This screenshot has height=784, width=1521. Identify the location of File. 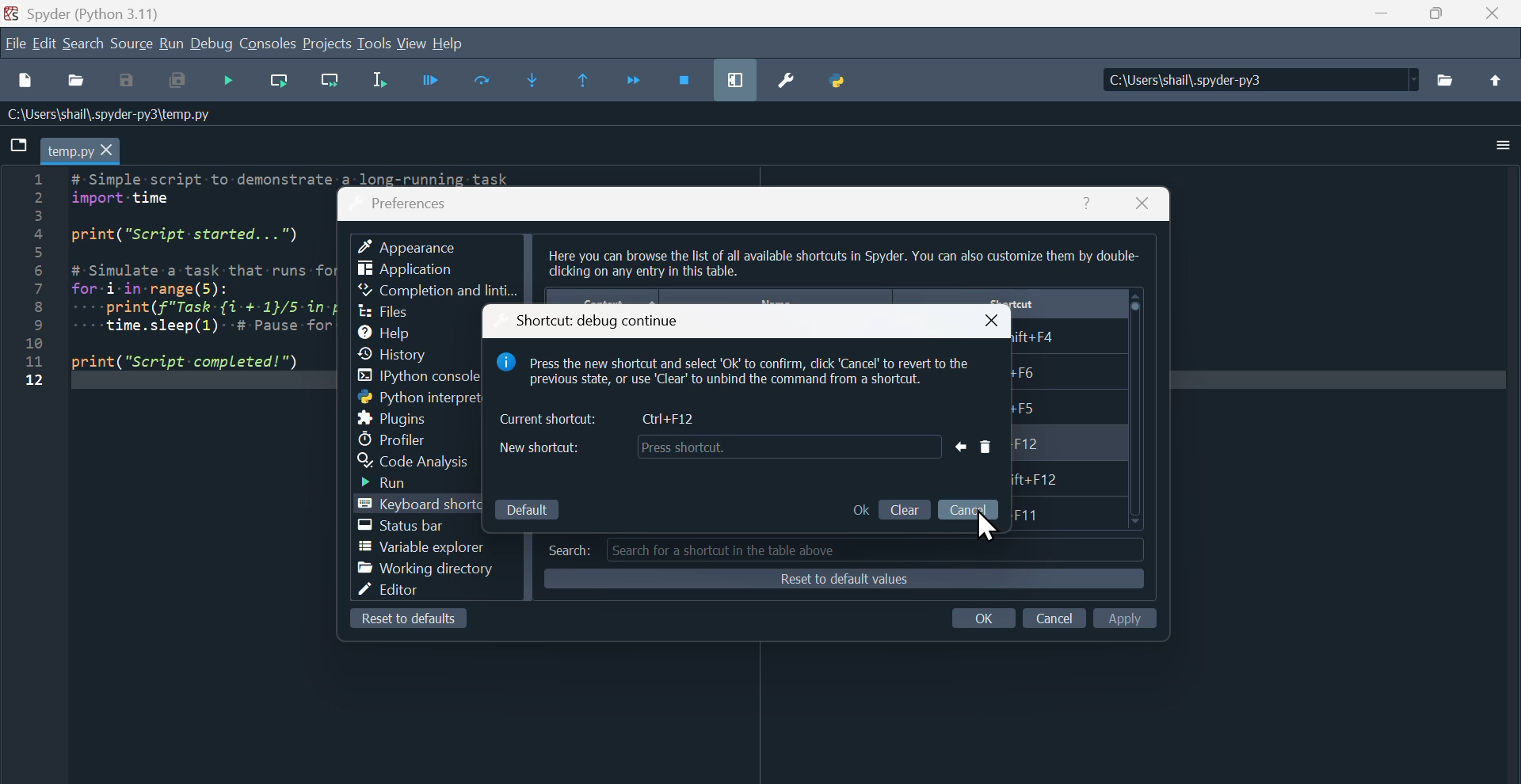
(20, 145).